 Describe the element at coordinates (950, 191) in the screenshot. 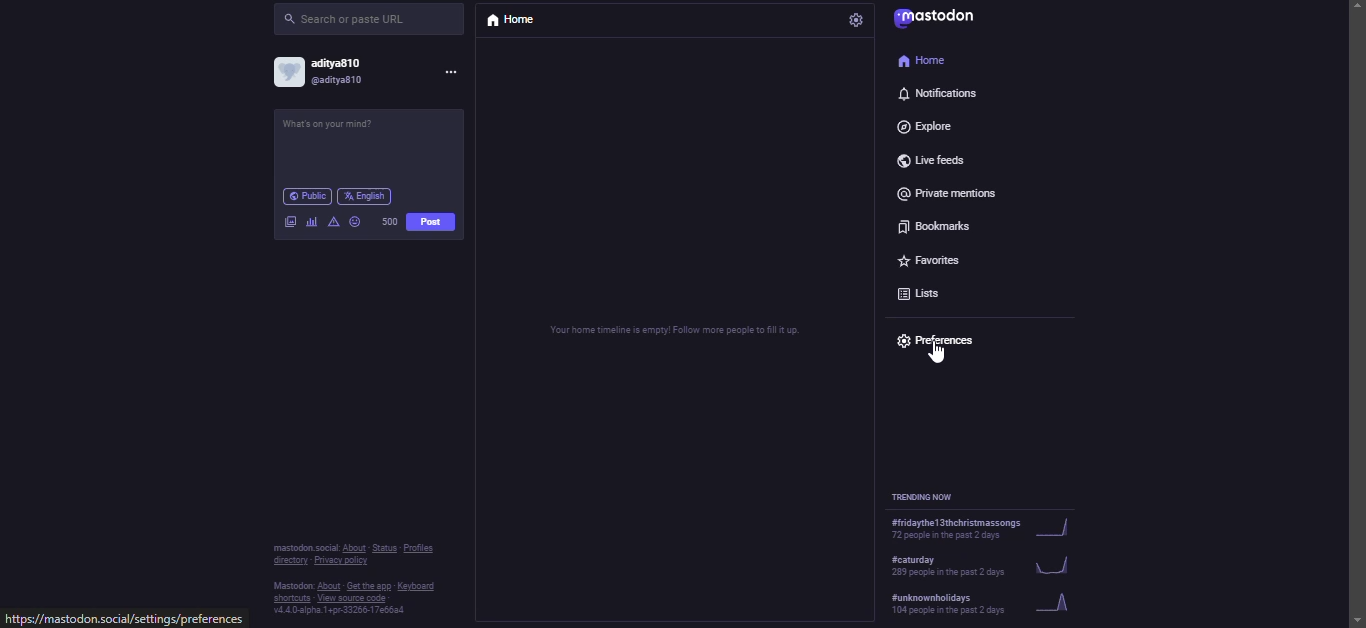

I see `private mentions` at that location.